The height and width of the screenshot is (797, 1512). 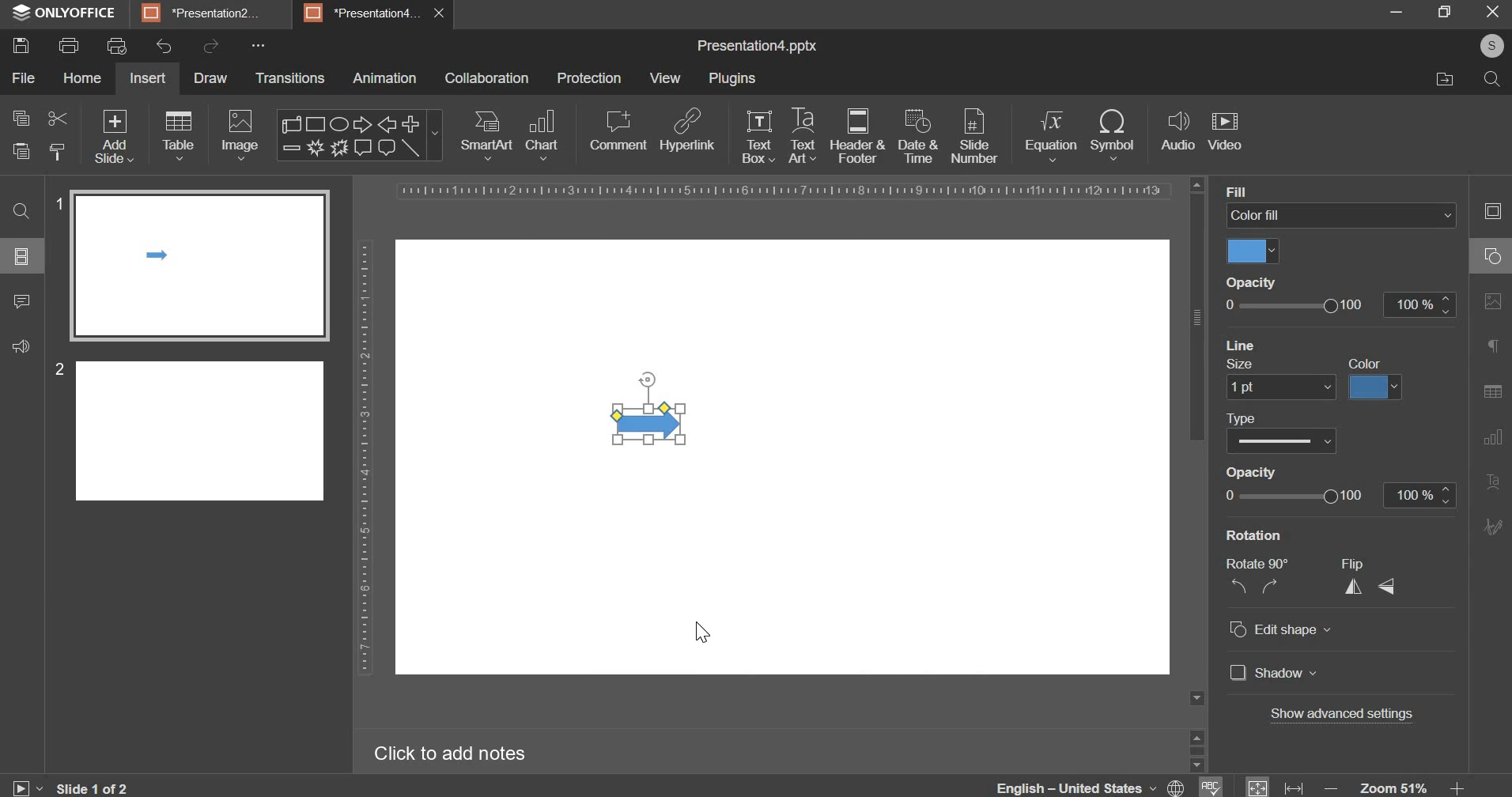 I want to click on move, so click(x=1441, y=81).